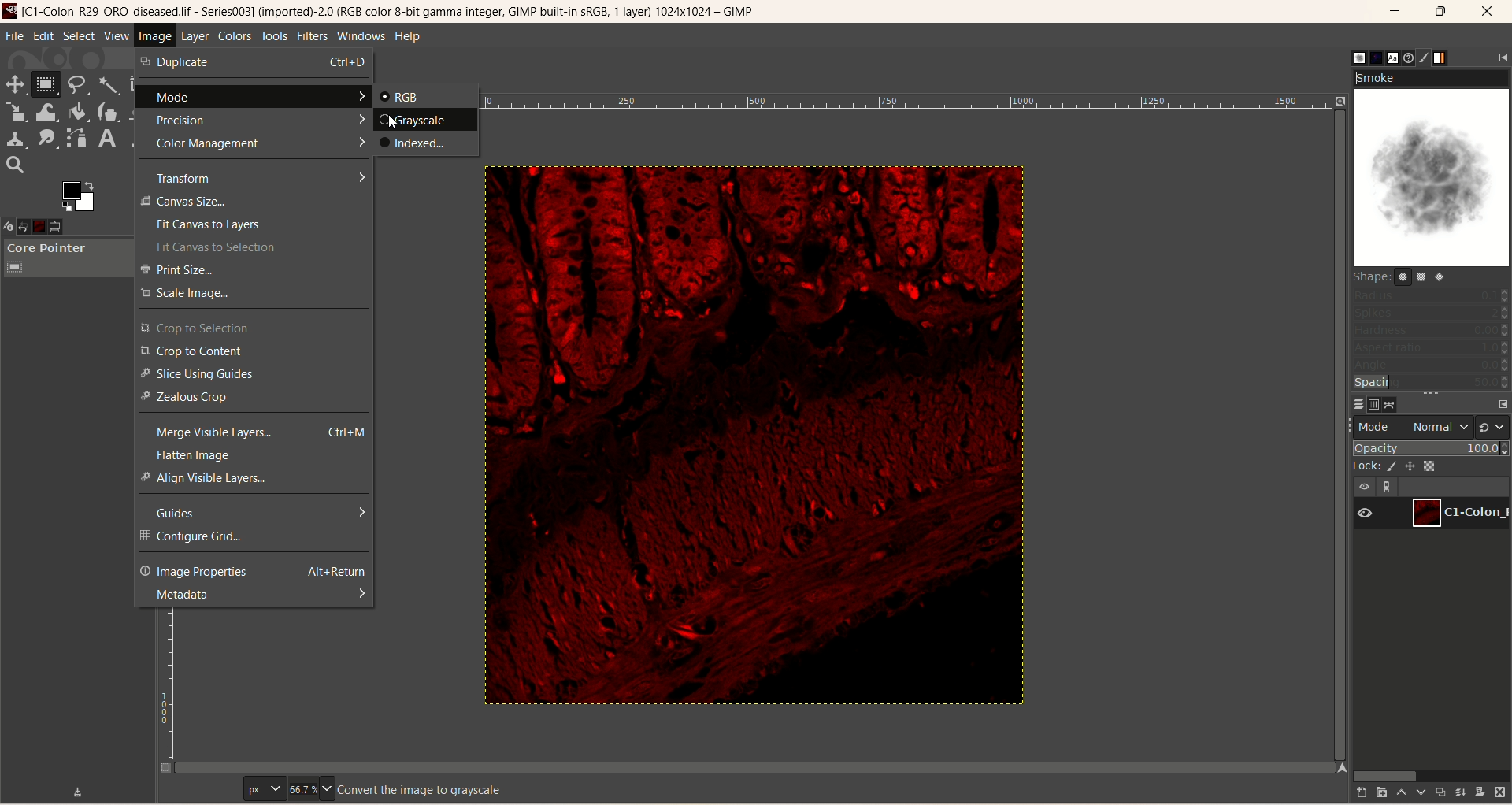 The height and width of the screenshot is (805, 1512). Describe the element at coordinates (50, 83) in the screenshot. I see `rectangle select tool` at that location.